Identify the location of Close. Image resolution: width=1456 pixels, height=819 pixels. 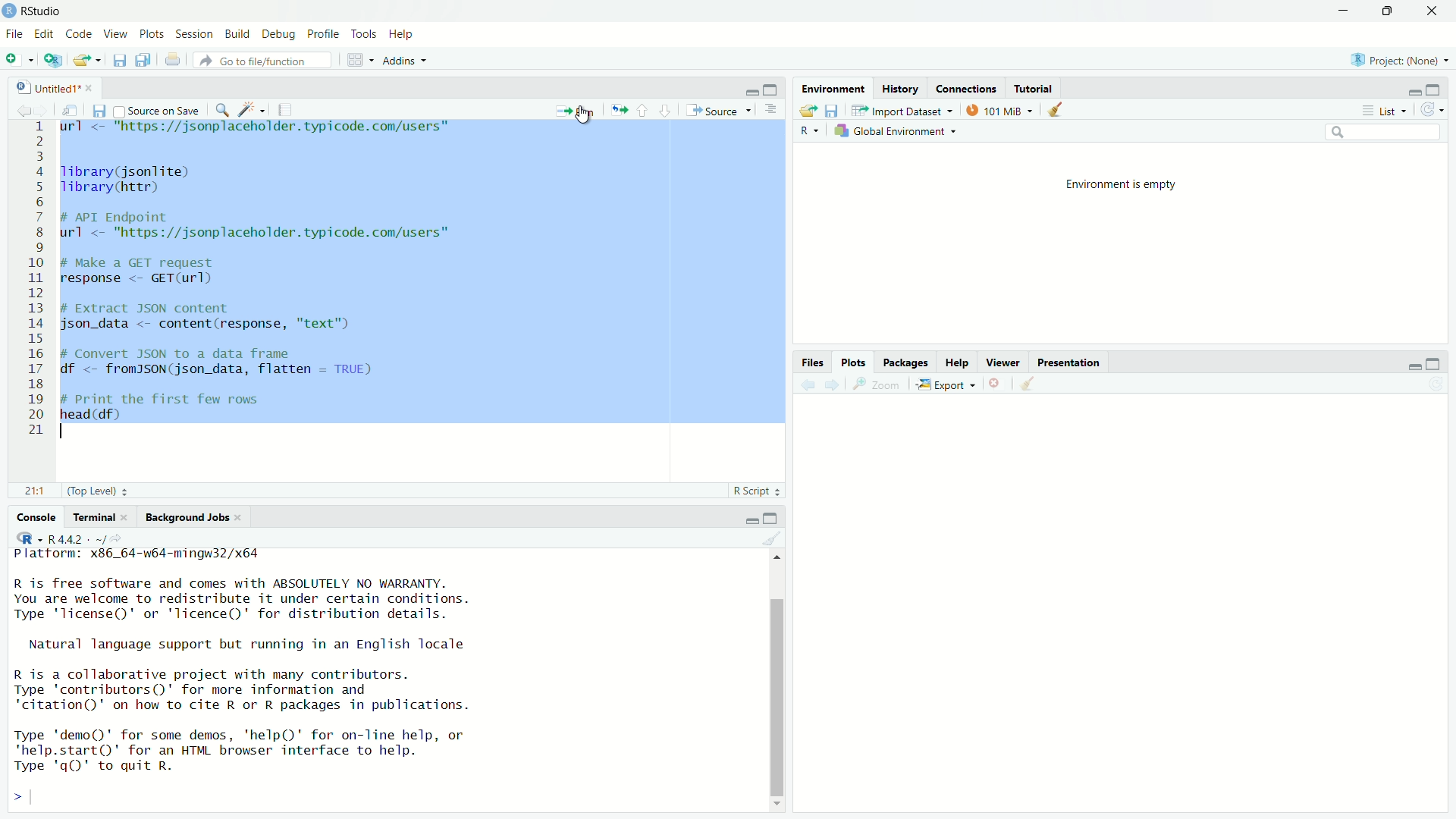
(1434, 11).